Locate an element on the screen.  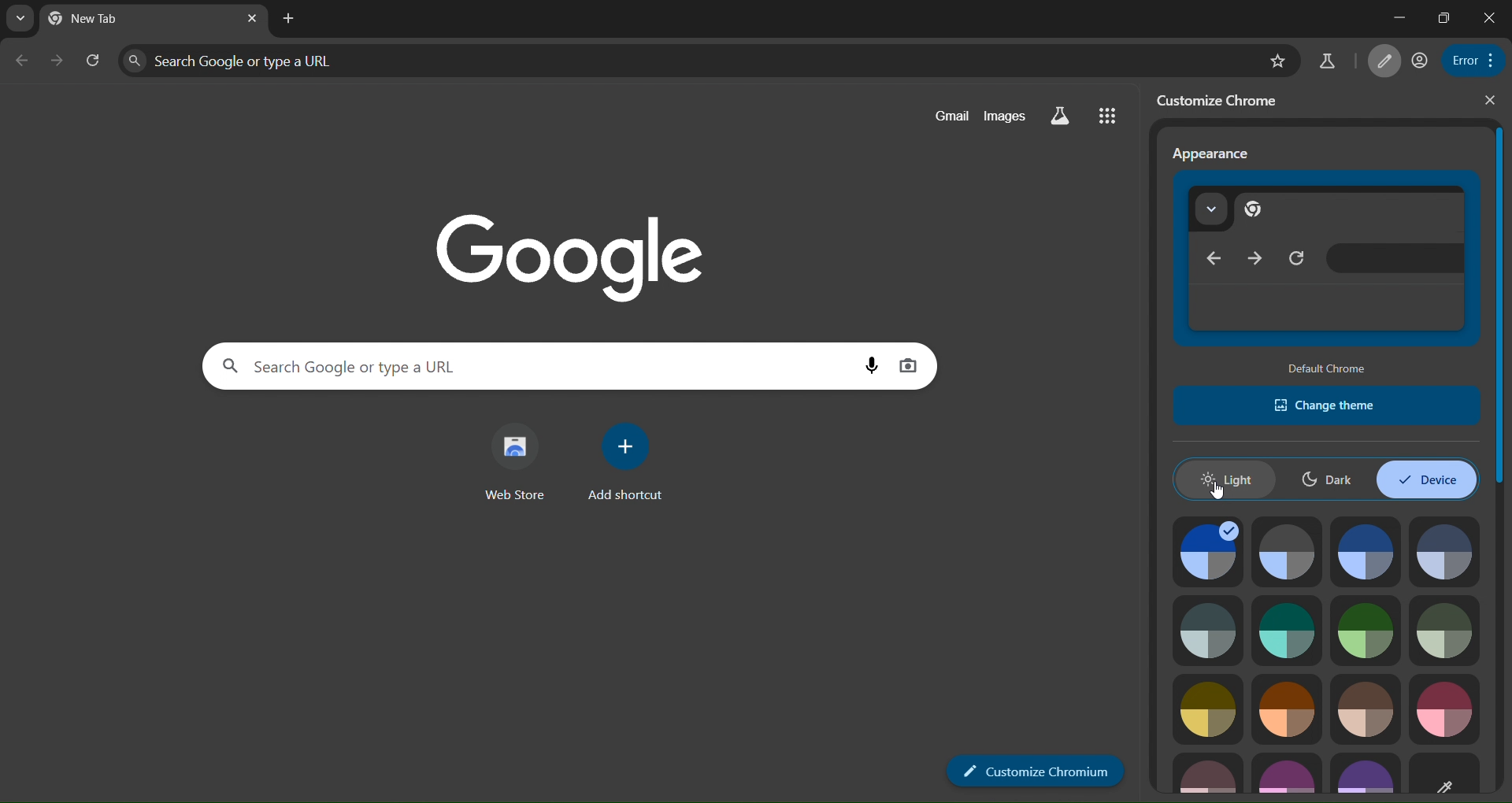
search tabs is located at coordinates (20, 18).